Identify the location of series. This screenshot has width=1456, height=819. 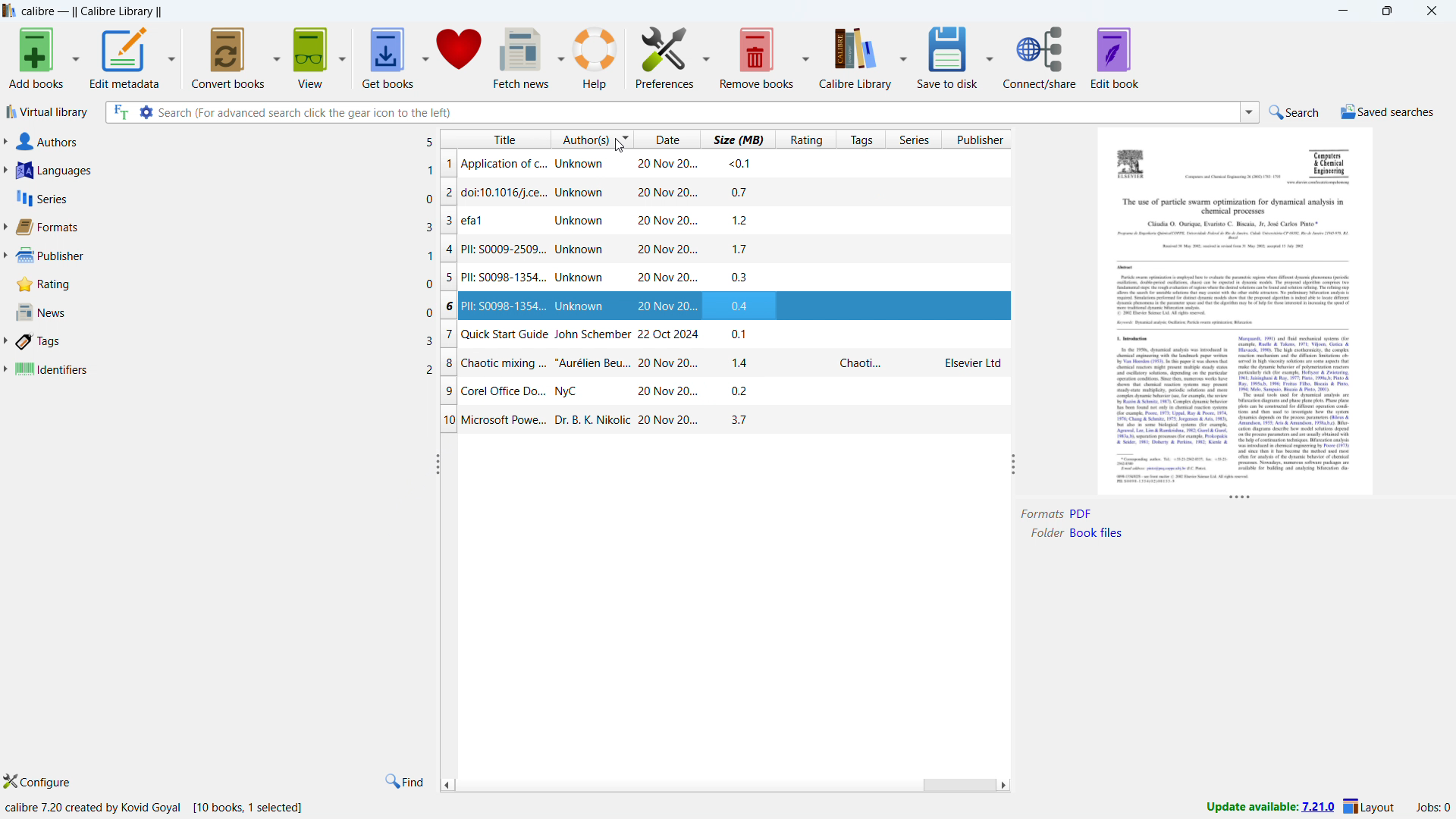
(224, 199).